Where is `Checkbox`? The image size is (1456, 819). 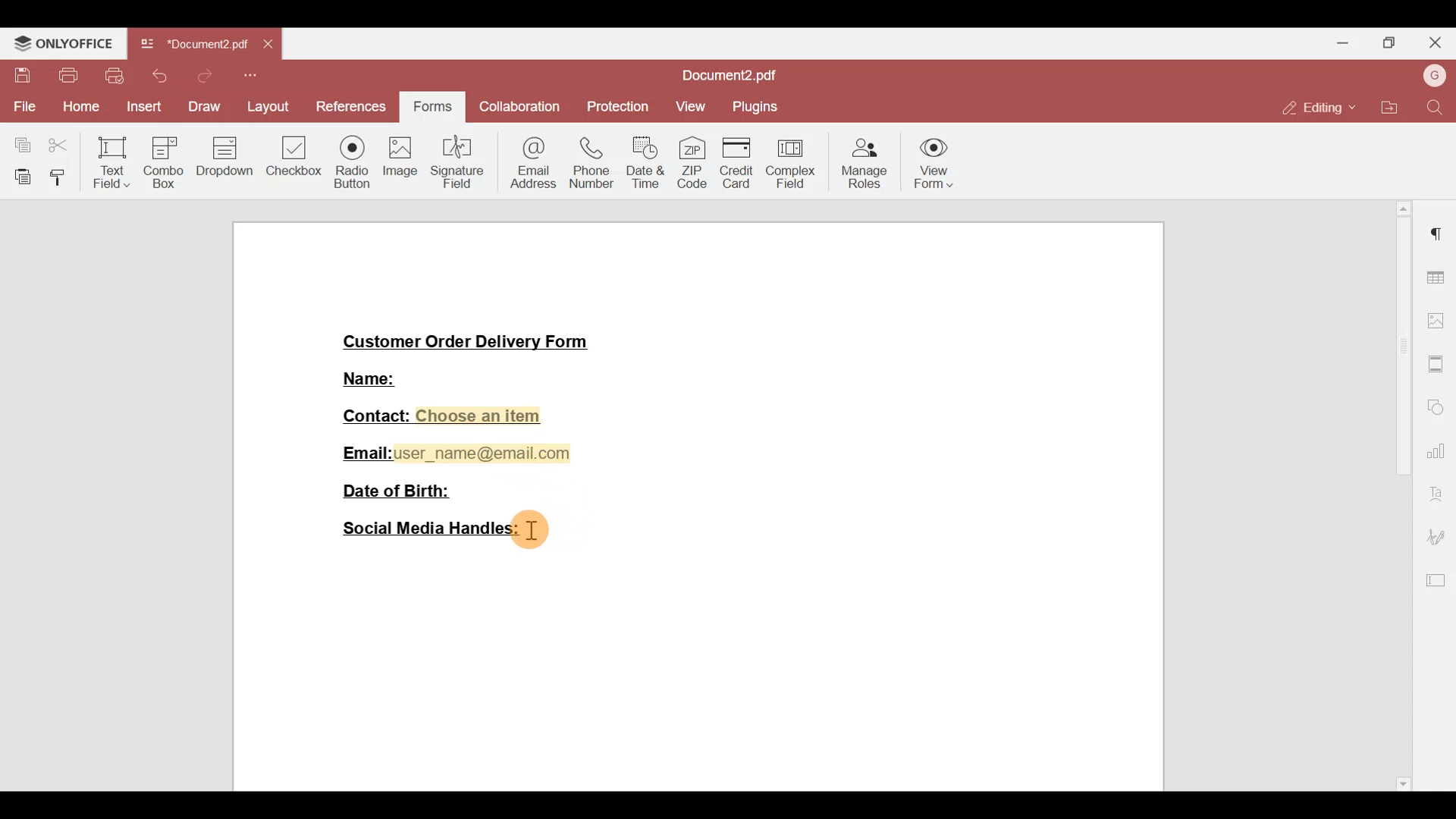 Checkbox is located at coordinates (292, 155).